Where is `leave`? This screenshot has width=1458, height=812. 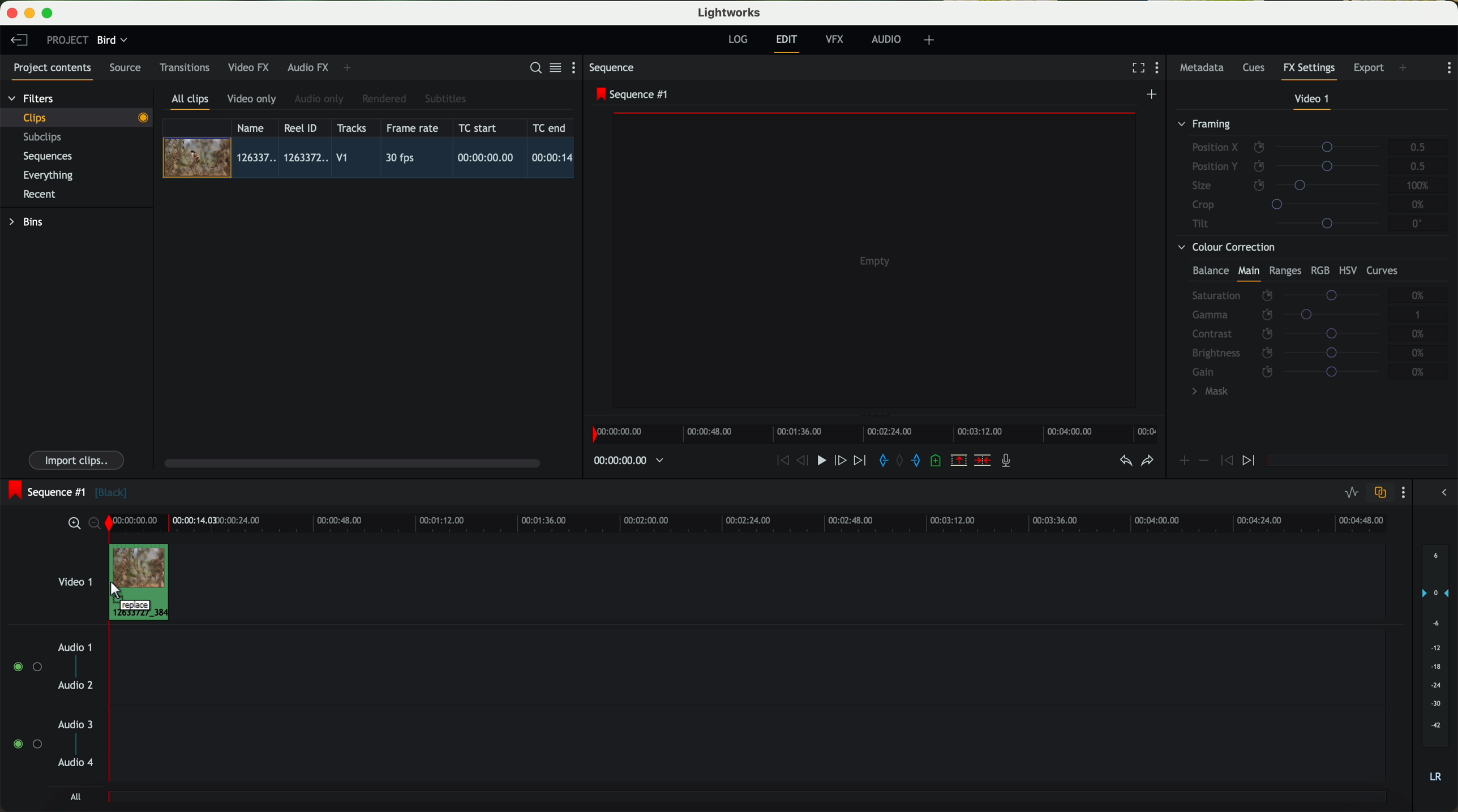
leave is located at coordinates (19, 41).